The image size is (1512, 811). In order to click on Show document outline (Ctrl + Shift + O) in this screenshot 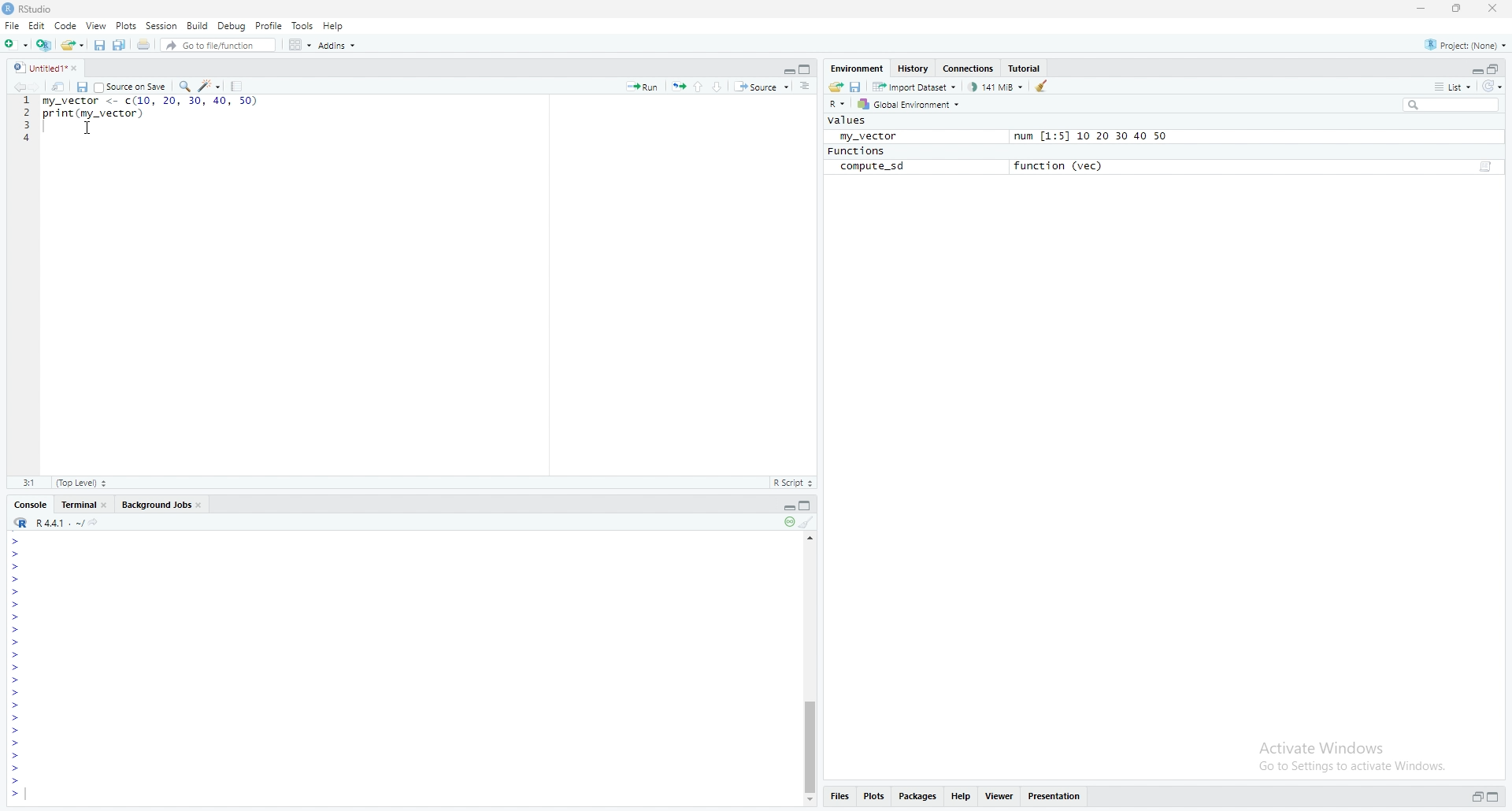, I will do `click(805, 86)`.